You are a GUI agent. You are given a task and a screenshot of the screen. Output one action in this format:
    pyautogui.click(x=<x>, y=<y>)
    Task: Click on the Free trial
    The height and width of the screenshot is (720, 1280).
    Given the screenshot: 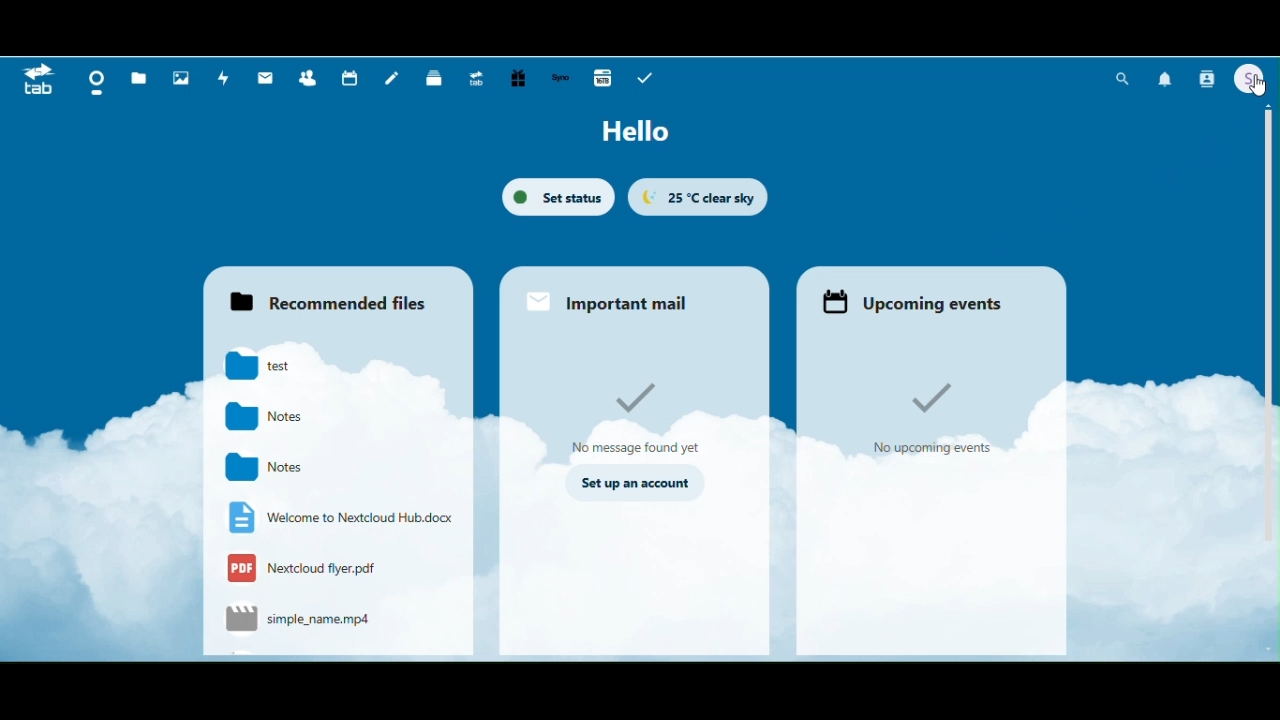 What is the action you would take?
    pyautogui.click(x=520, y=78)
    